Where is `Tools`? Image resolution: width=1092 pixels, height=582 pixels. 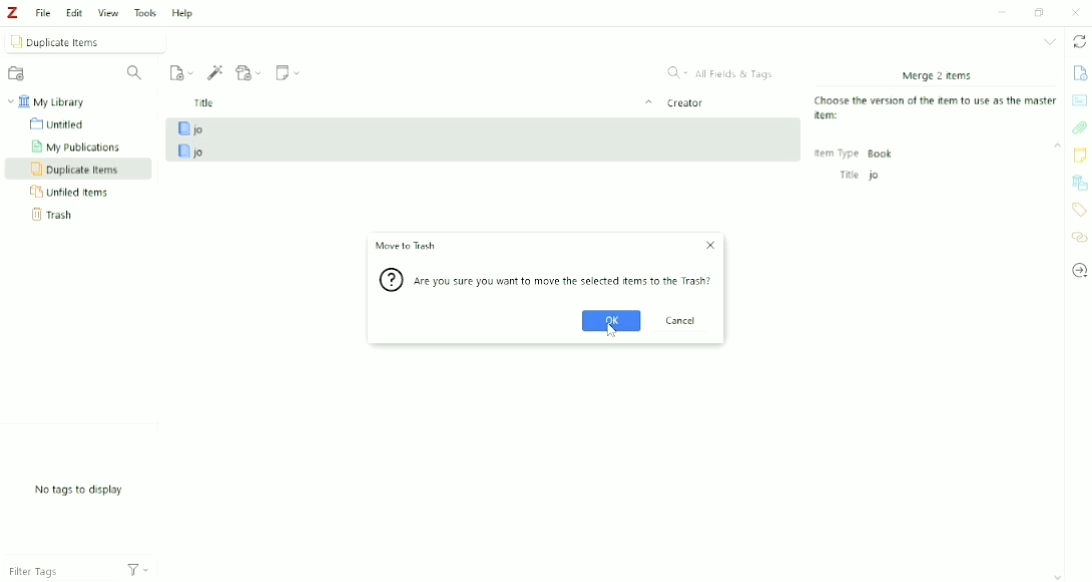
Tools is located at coordinates (145, 13).